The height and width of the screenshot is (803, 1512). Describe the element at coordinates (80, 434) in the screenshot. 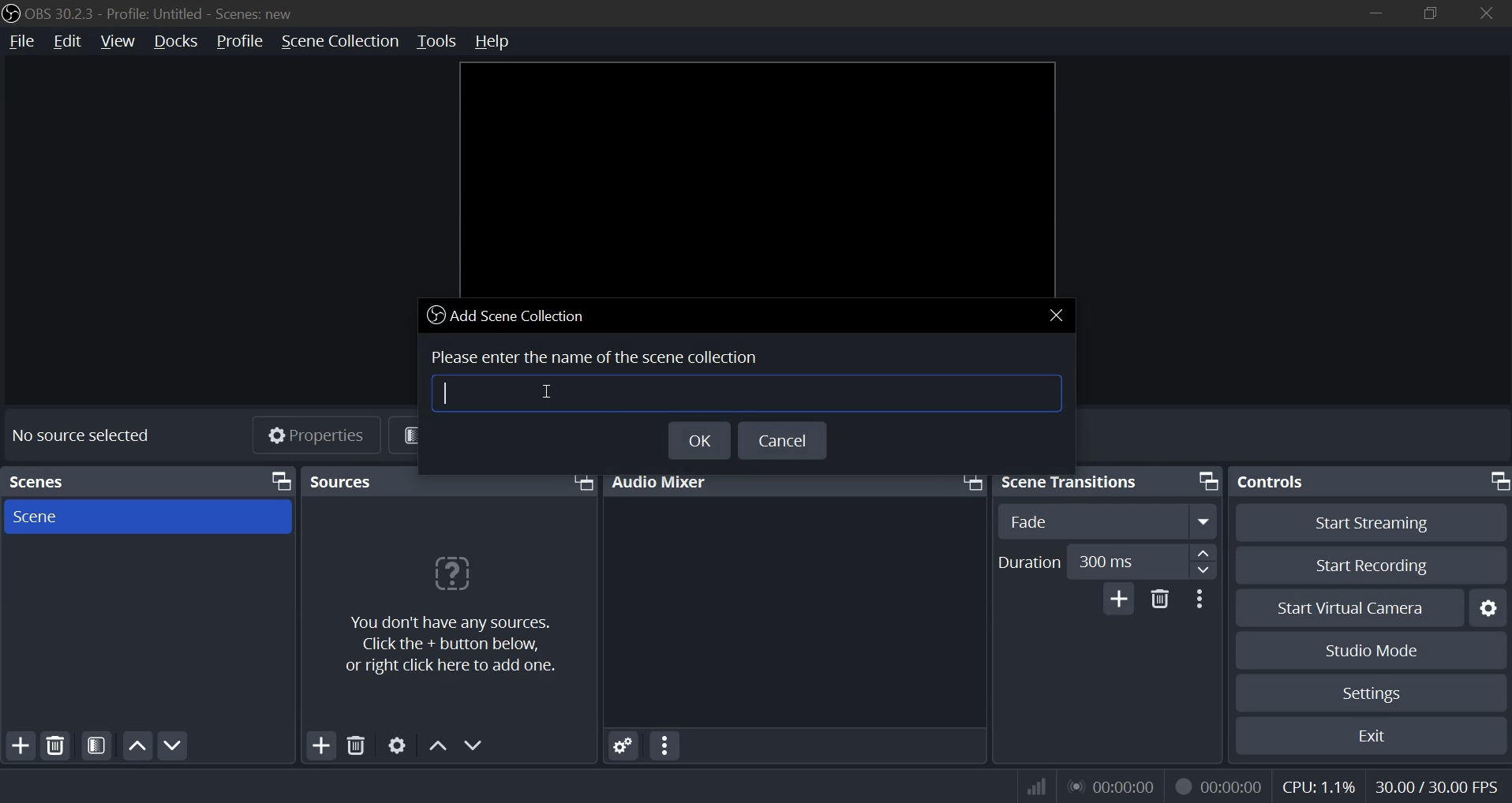

I see `No source selected` at that location.